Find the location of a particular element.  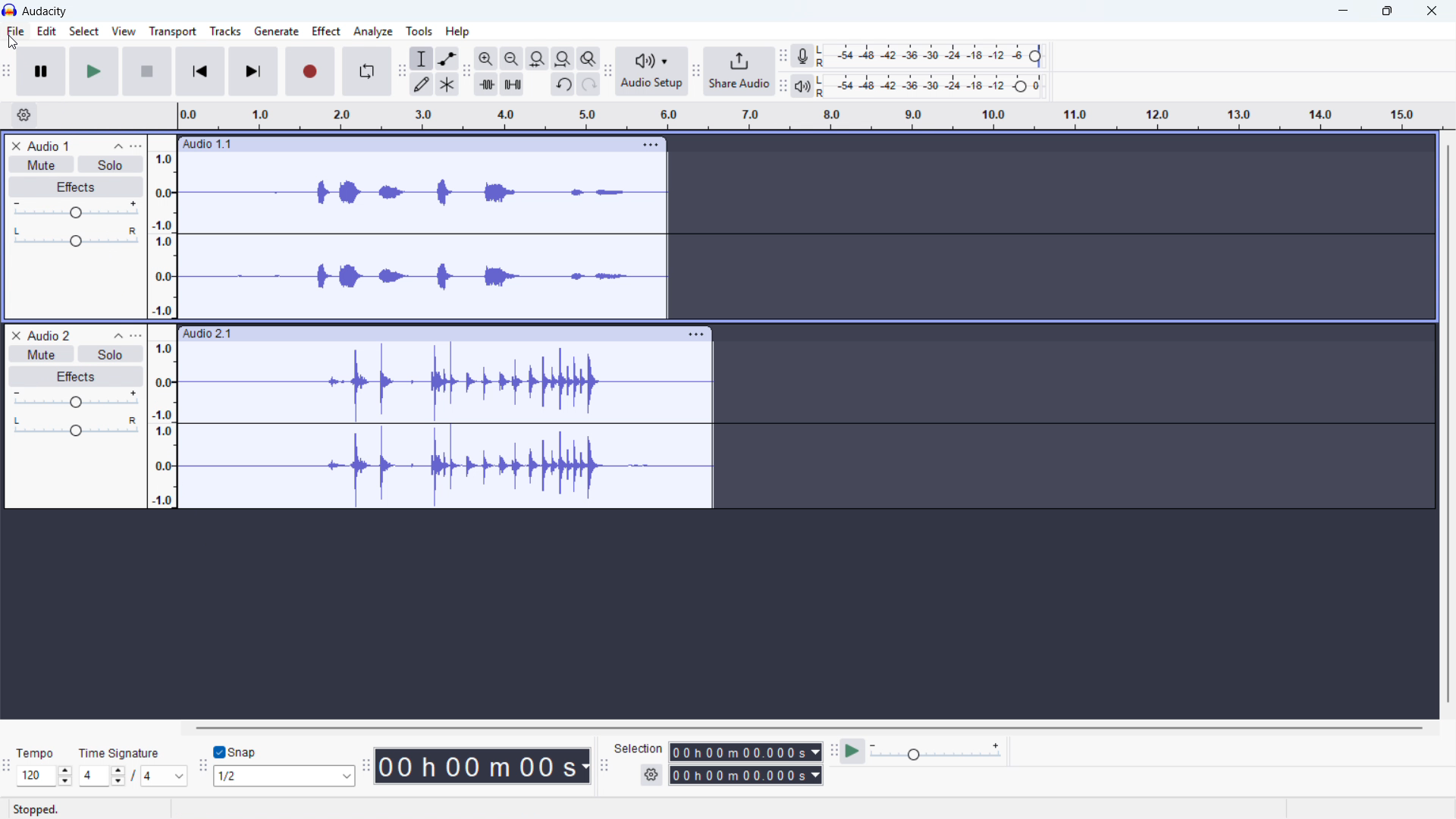

Selection end time is located at coordinates (746, 776).